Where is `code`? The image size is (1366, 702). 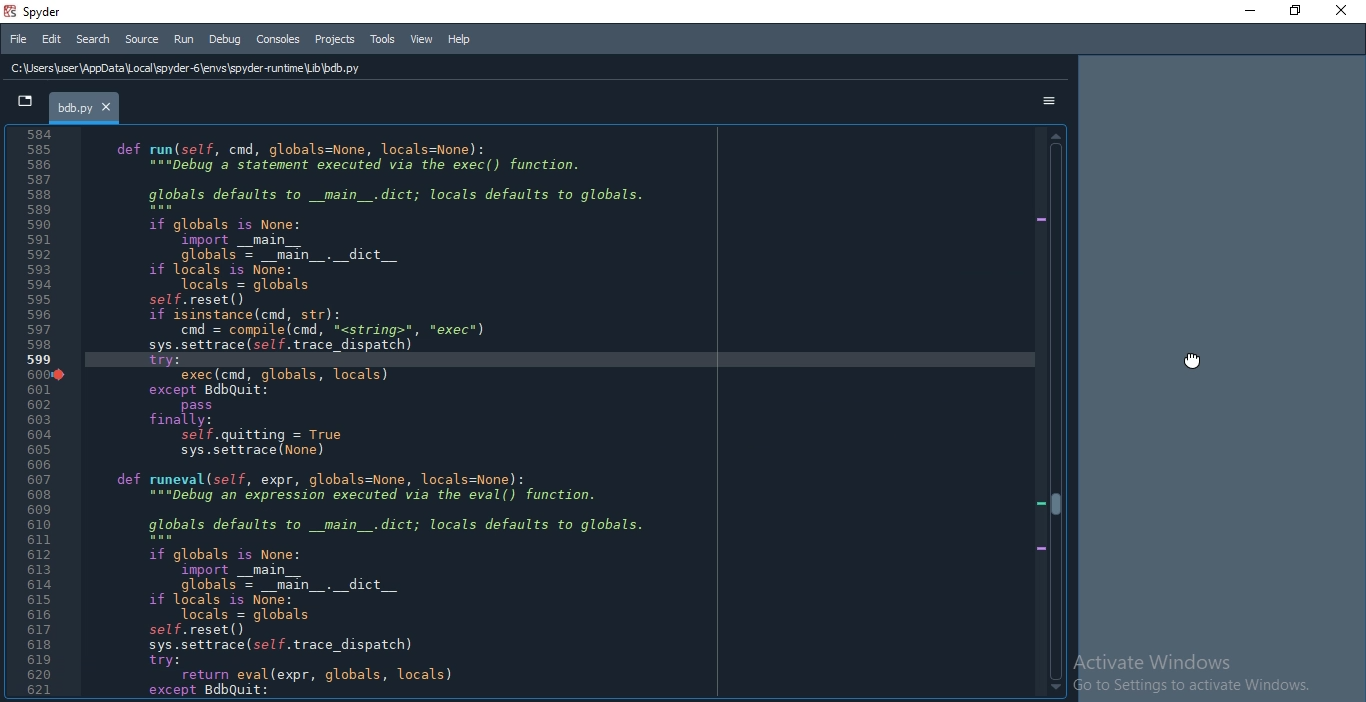
code is located at coordinates (537, 415).